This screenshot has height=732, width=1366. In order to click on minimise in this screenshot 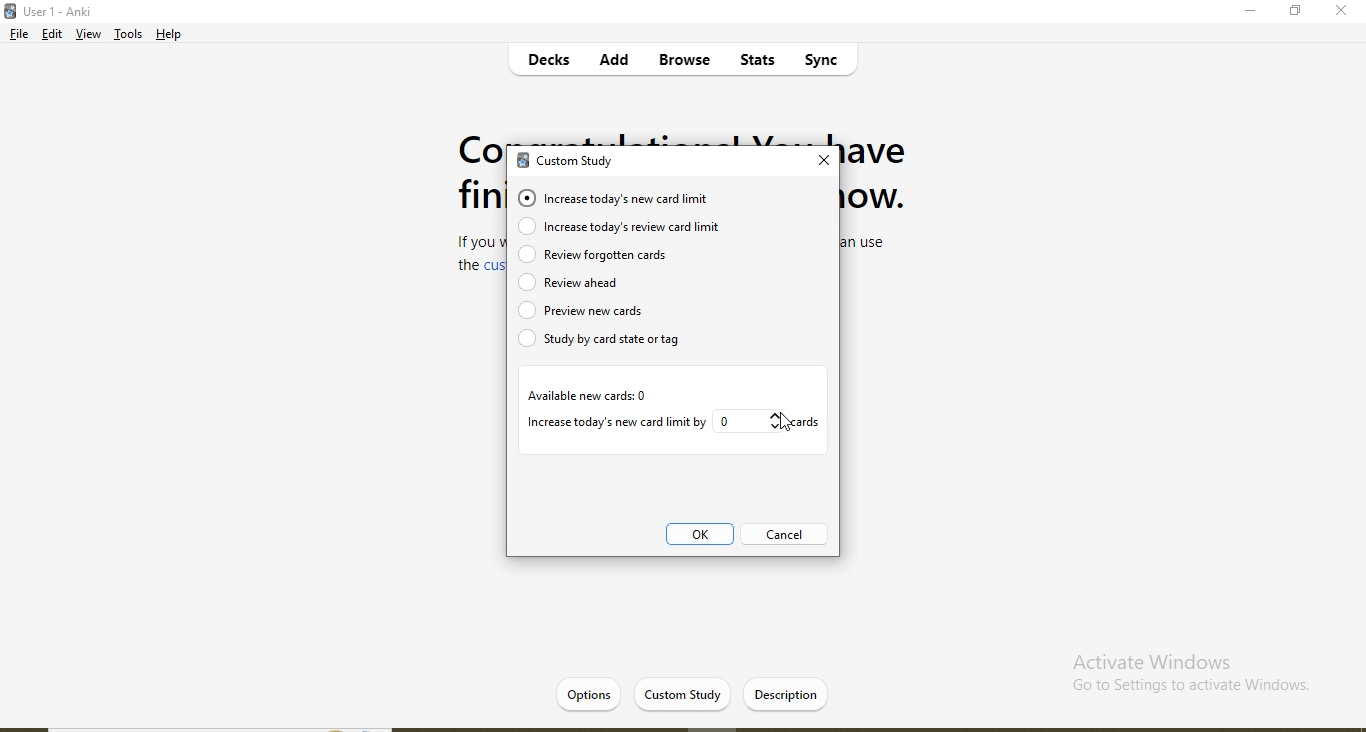, I will do `click(1252, 14)`.